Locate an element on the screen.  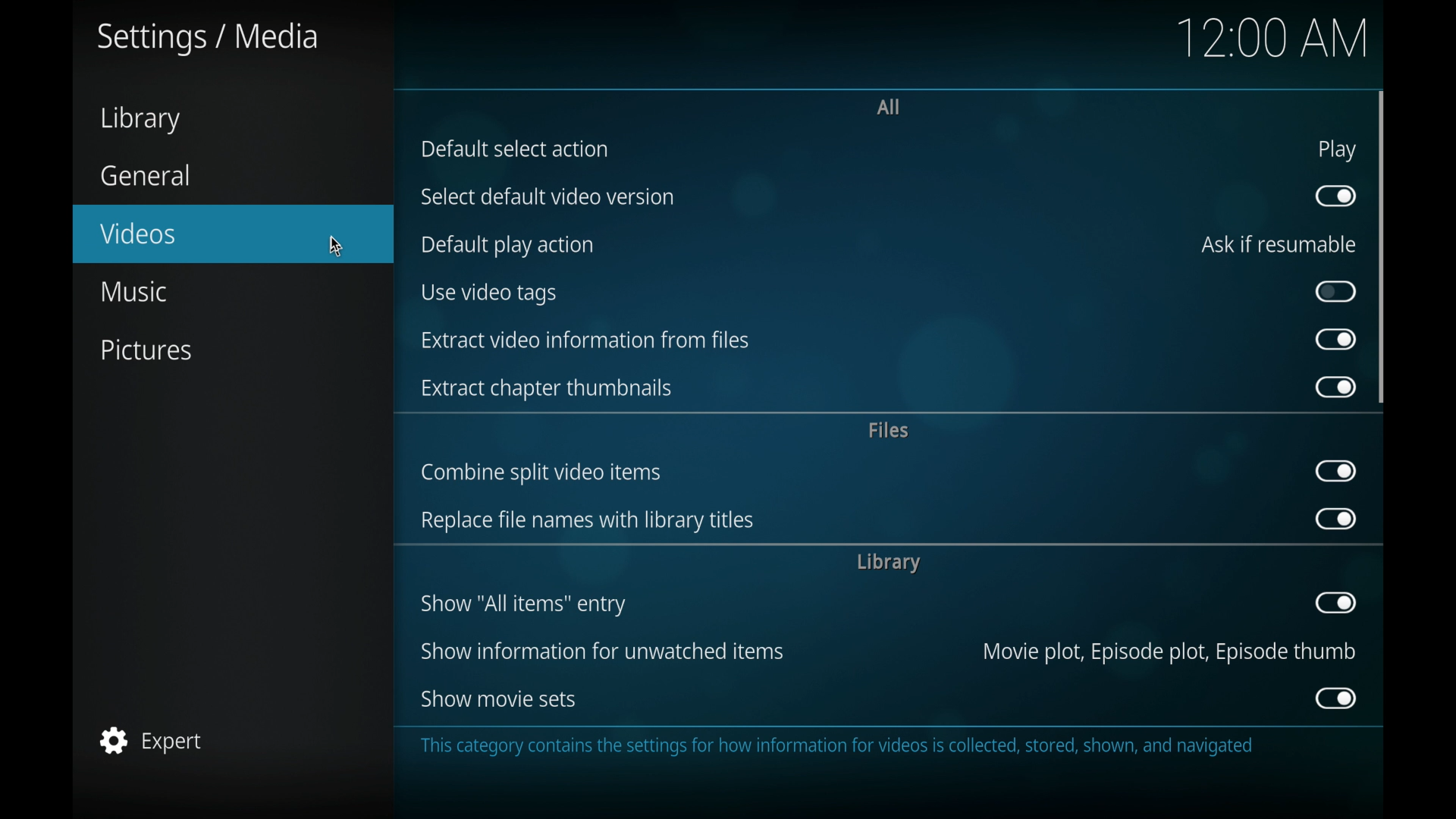
extract video information from files is located at coordinates (588, 340).